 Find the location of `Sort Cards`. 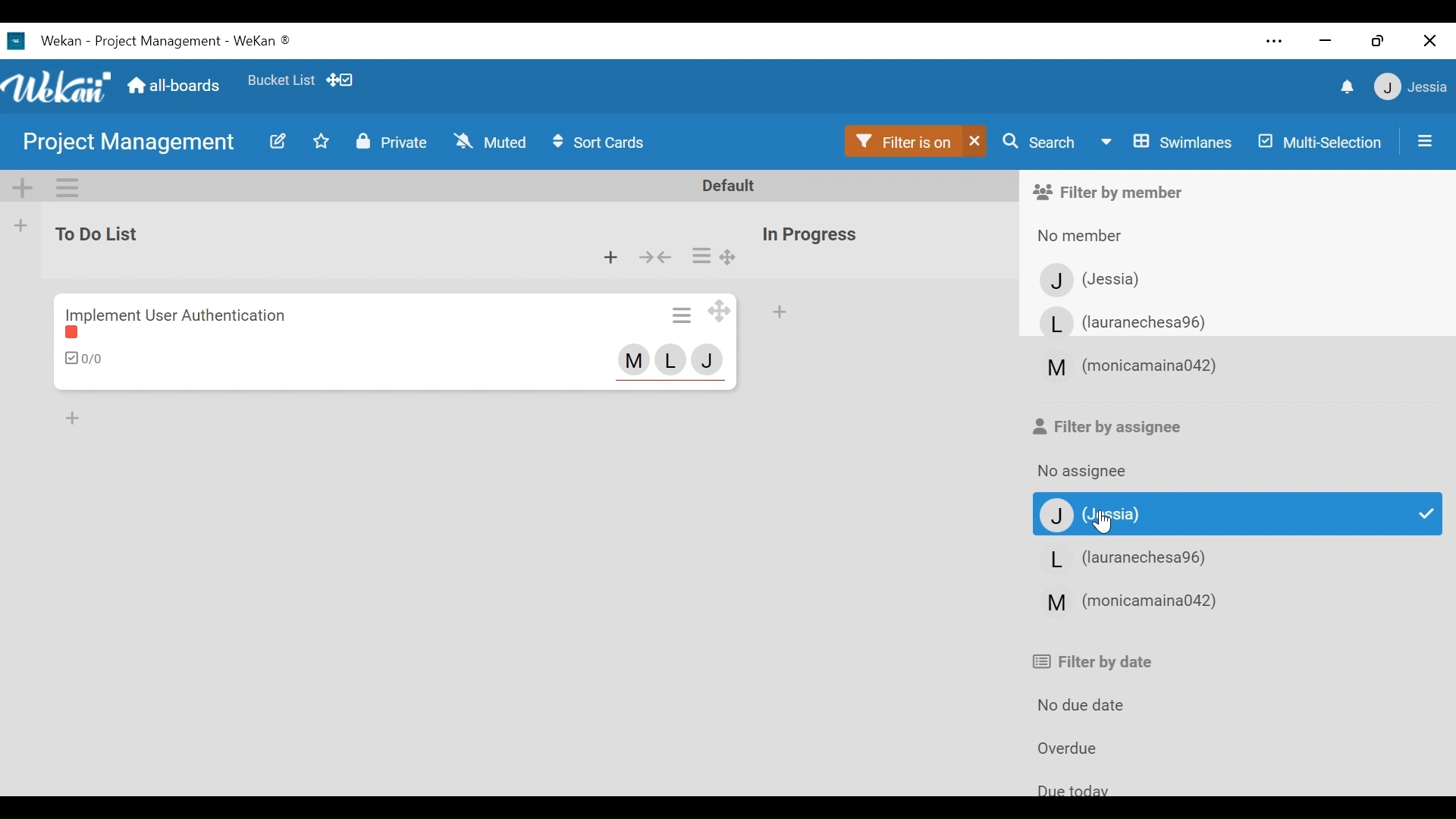

Sort Cards is located at coordinates (603, 143).